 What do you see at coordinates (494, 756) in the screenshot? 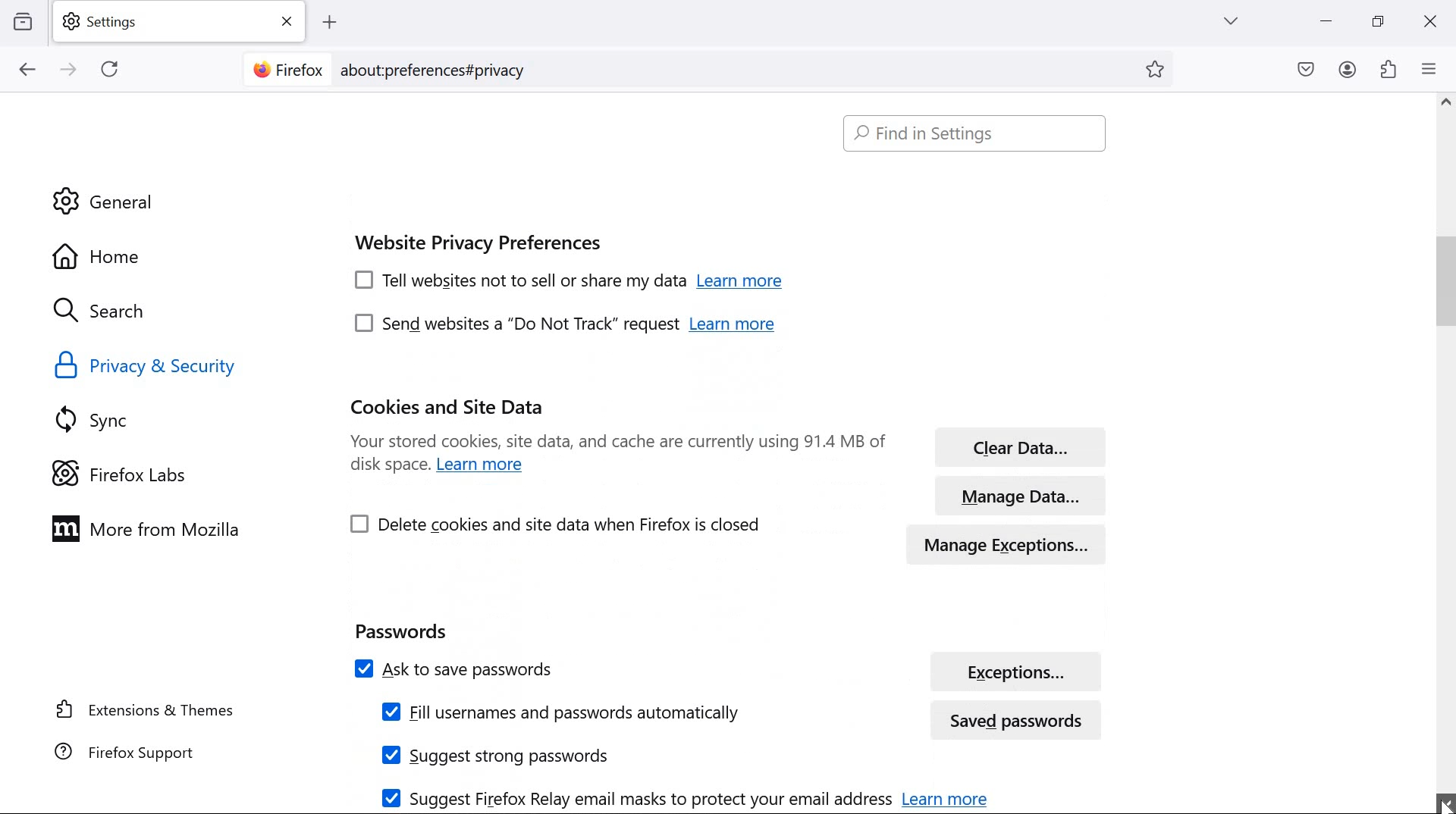
I see `Suggest strong passwords` at bounding box center [494, 756].